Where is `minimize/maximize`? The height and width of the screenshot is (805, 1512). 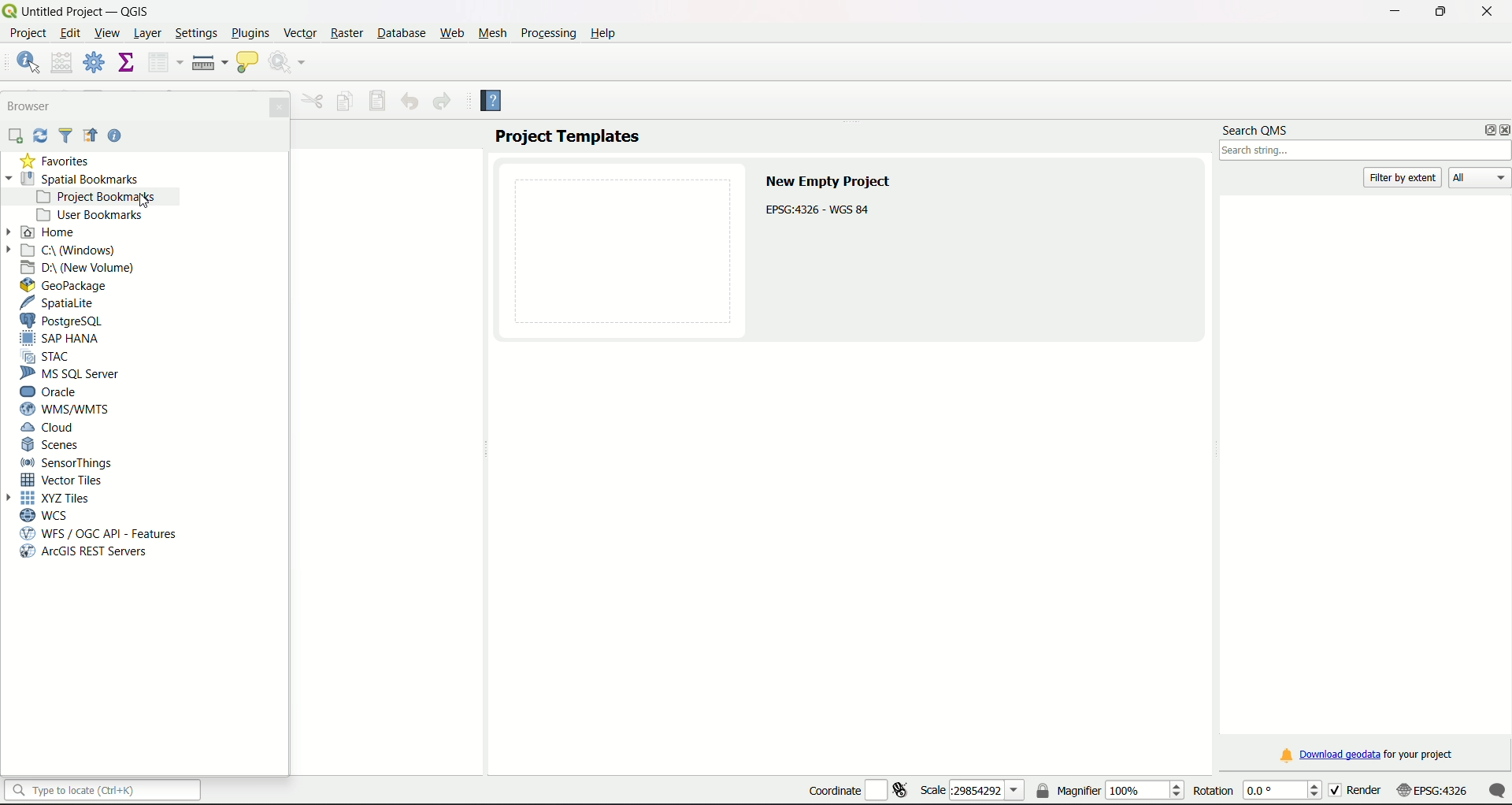
minimize/maximize is located at coordinates (1440, 12).